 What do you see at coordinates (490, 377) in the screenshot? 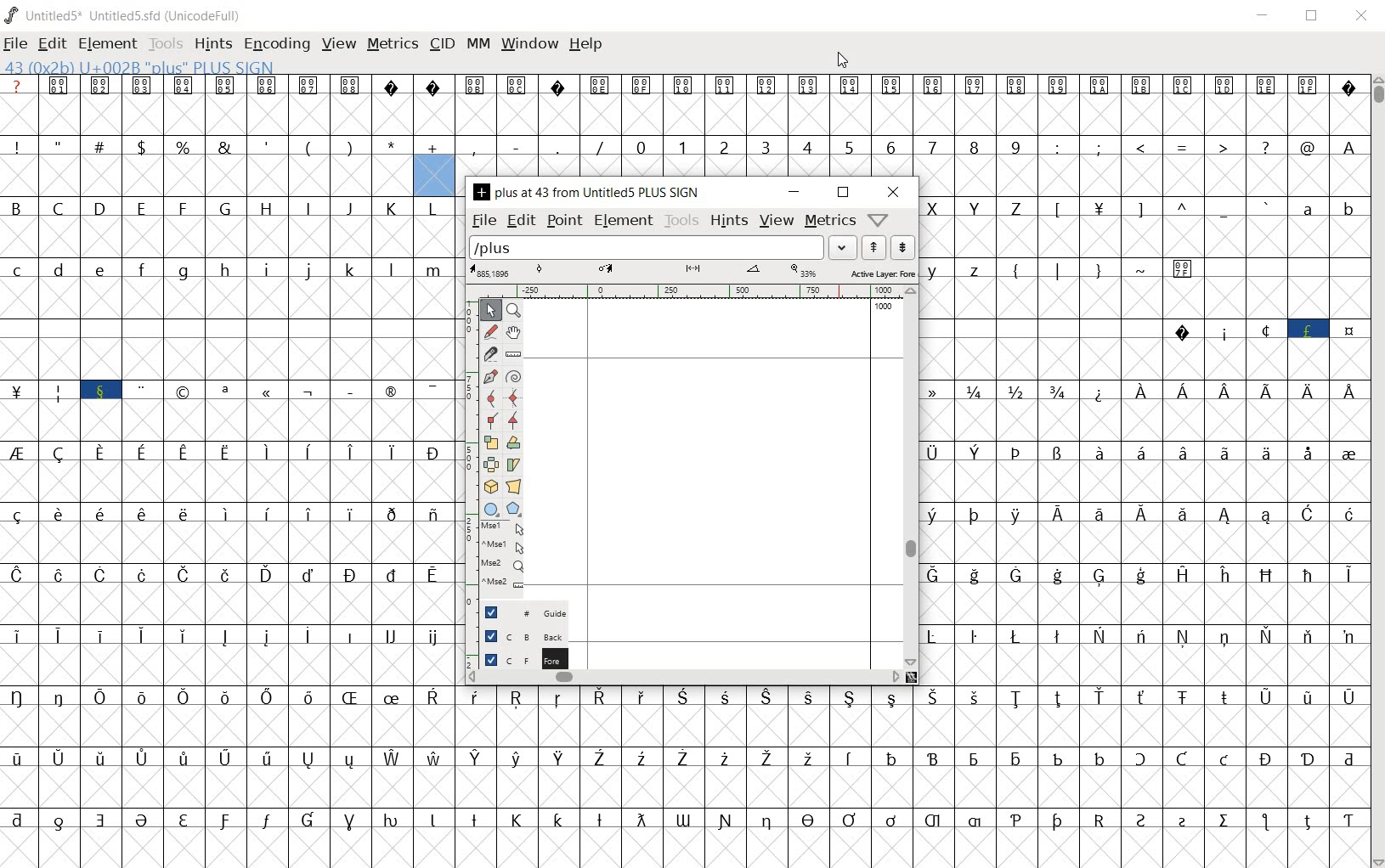
I see `add a point, then drag out its control points` at bounding box center [490, 377].